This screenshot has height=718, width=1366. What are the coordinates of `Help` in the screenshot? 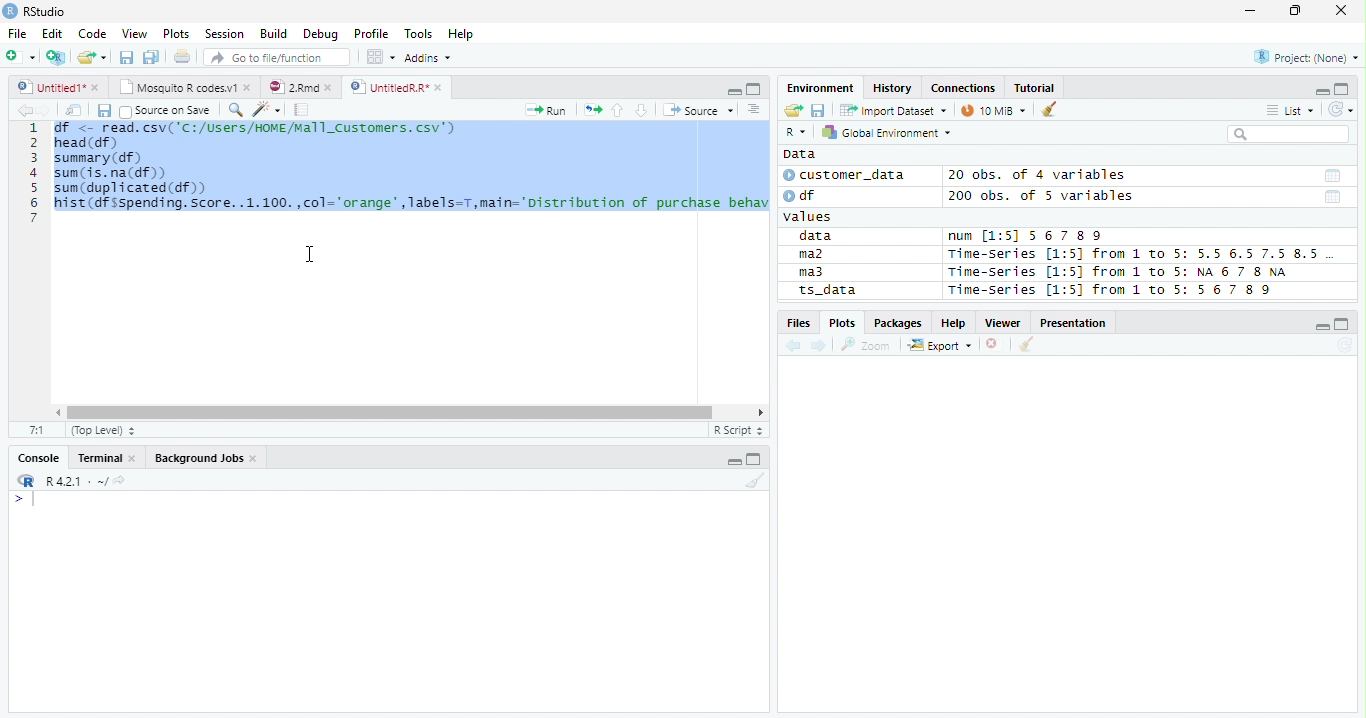 It's located at (954, 324).